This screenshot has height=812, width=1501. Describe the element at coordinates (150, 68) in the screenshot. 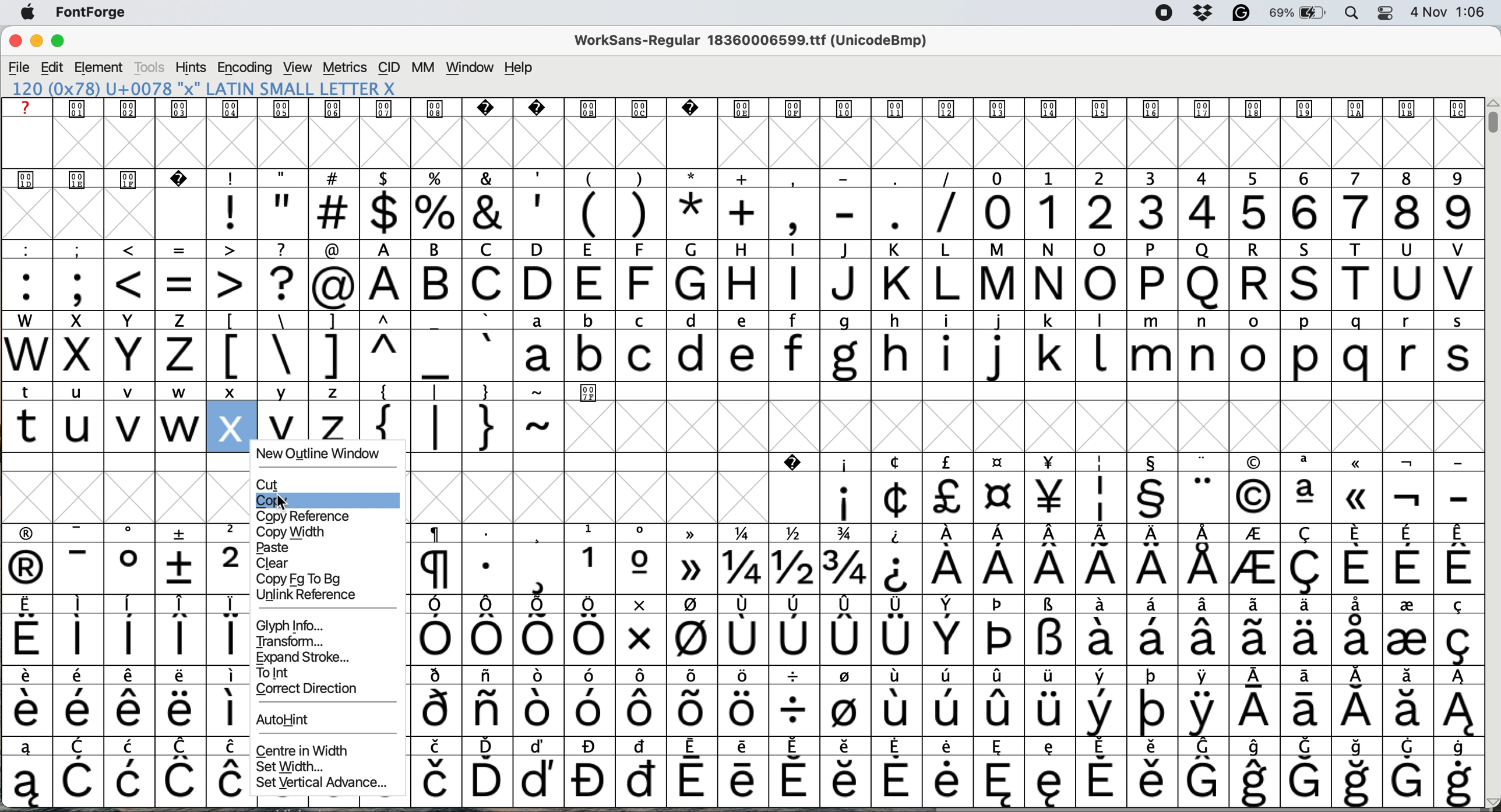

I see `tools` at that location.